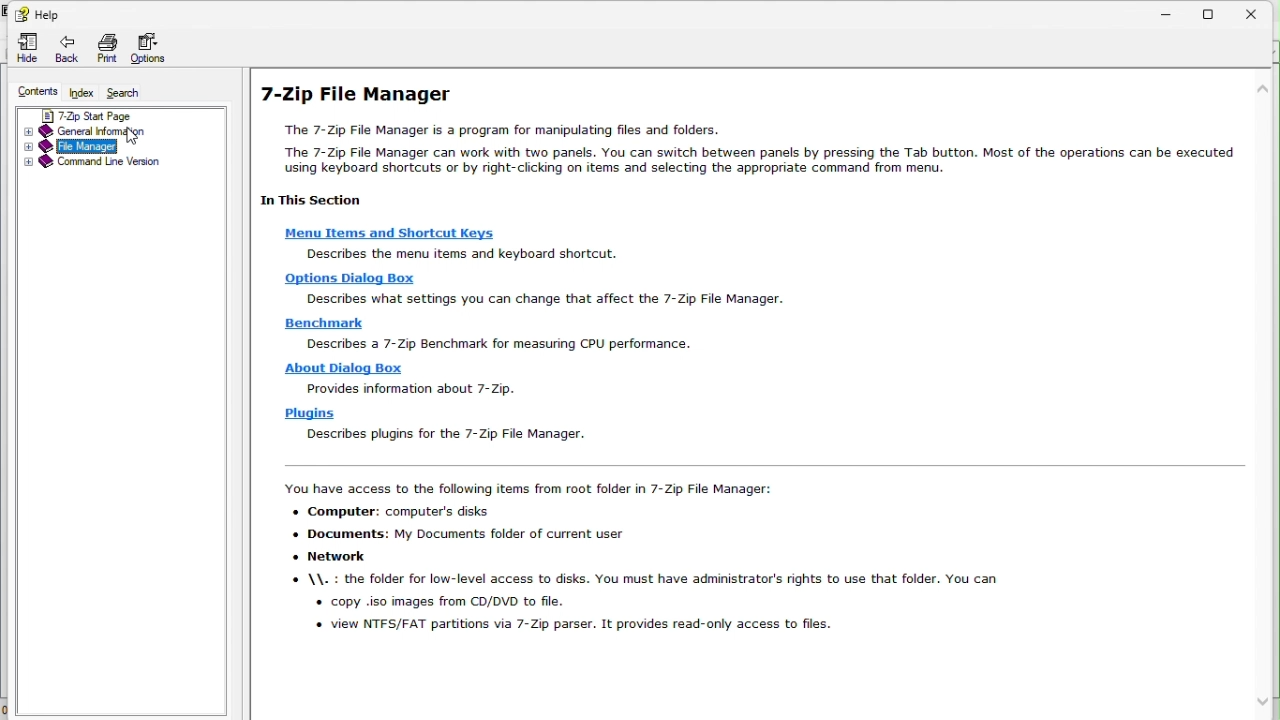  Describe the element at coordinates (1221, 12) in the screenshot. I see `restore` at that location.